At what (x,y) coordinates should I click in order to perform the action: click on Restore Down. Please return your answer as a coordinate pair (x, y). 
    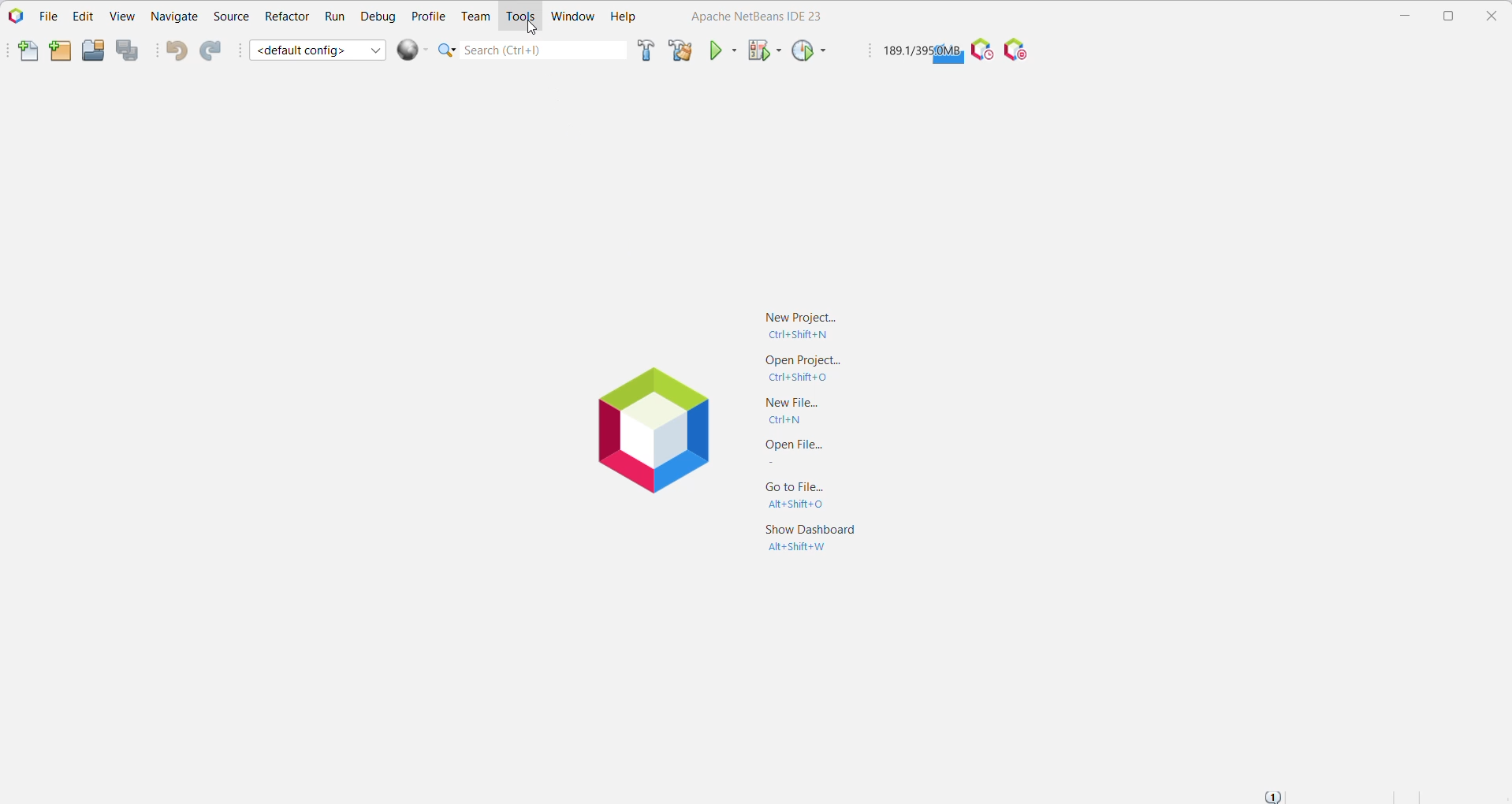
    Looking at the image, I should click on (1449, 16).